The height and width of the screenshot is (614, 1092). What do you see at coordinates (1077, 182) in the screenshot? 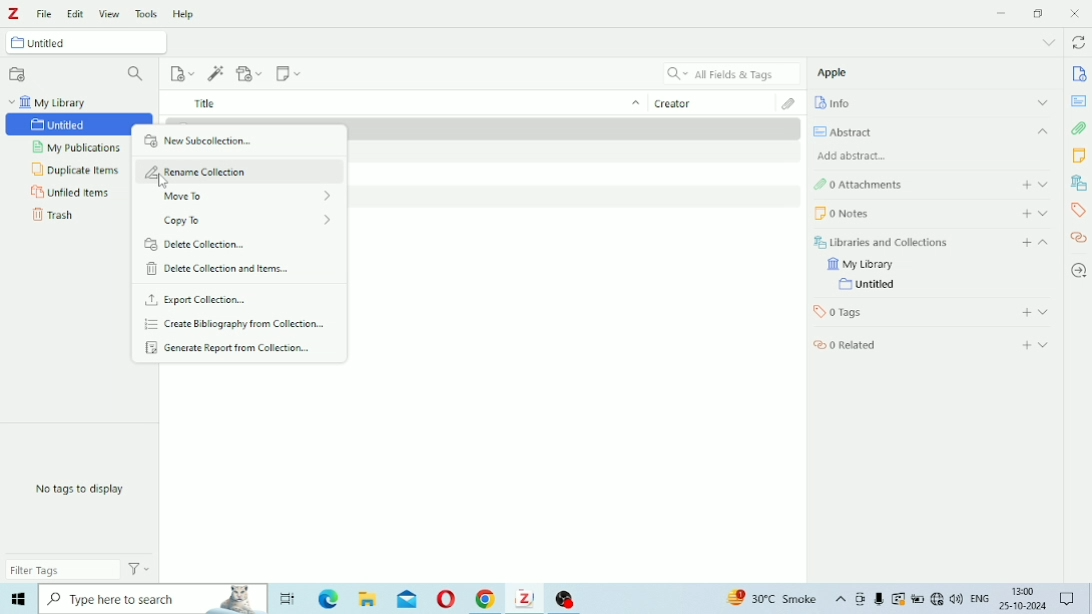
I see `Libraries and Collections` at bounding box center [1077, 182].